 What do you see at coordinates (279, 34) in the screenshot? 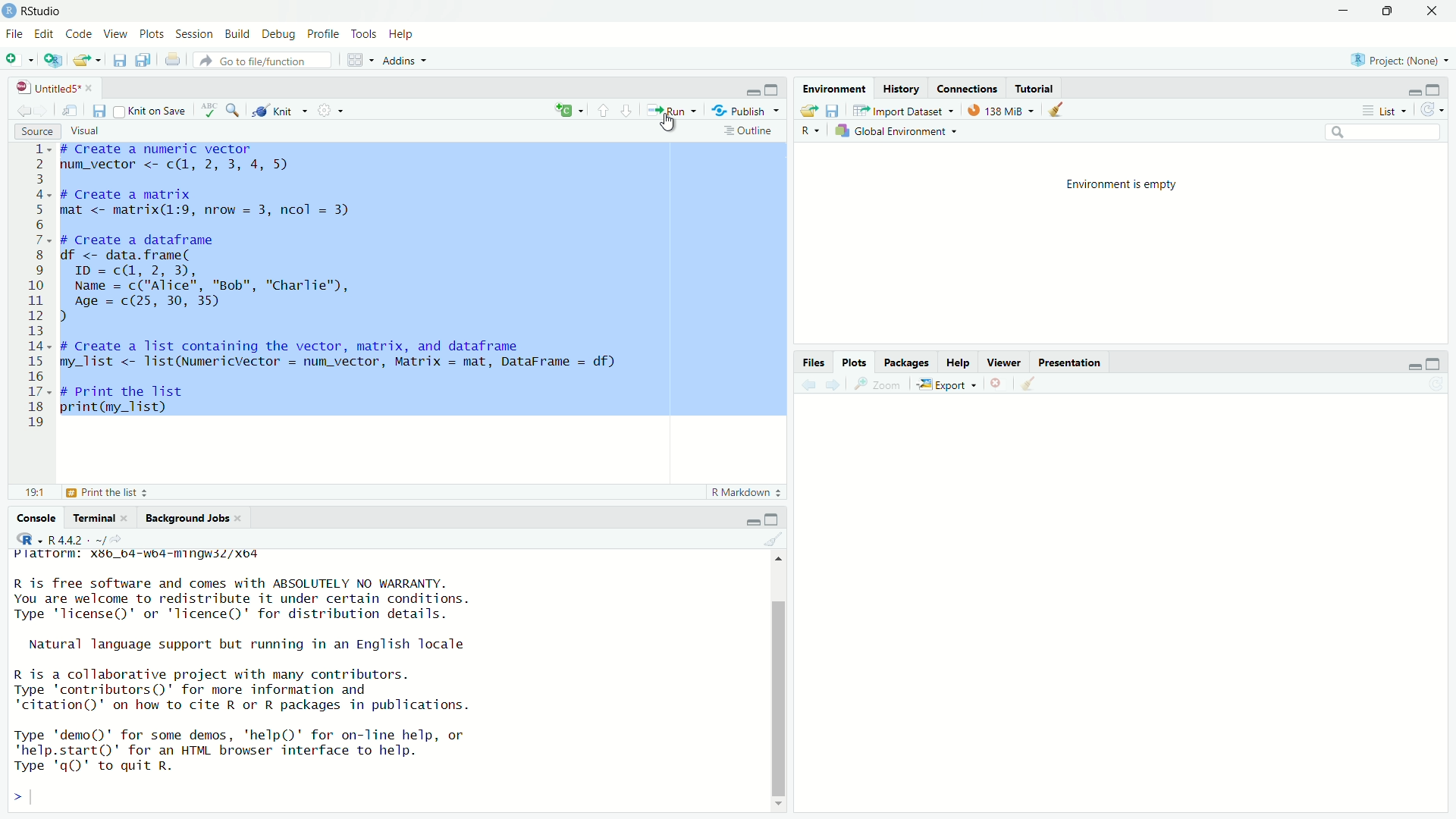
I see `Debug` at bounding box center [279, 34].